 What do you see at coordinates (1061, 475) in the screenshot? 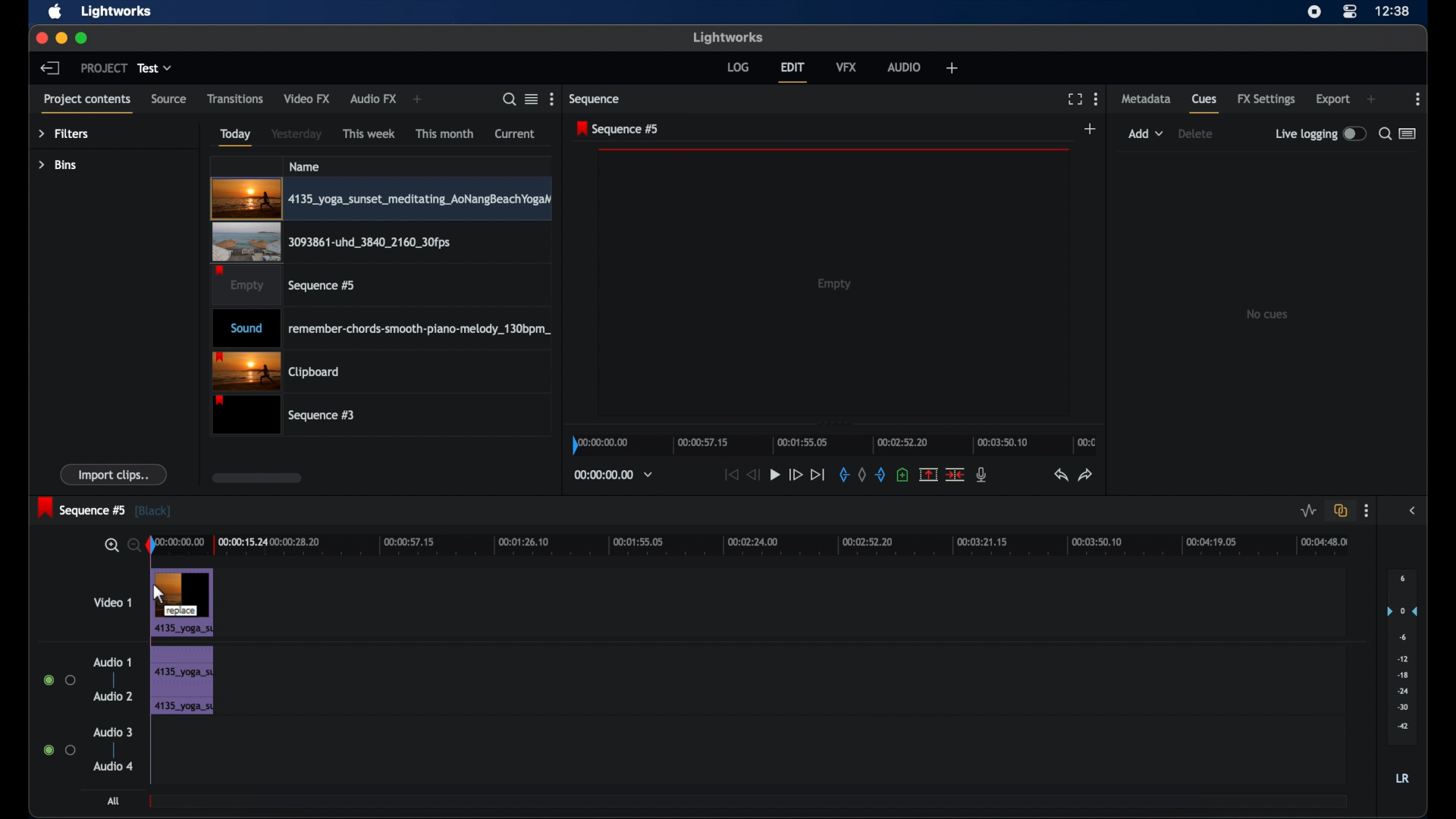
I see `undo` at bounding box center [1061, 475].